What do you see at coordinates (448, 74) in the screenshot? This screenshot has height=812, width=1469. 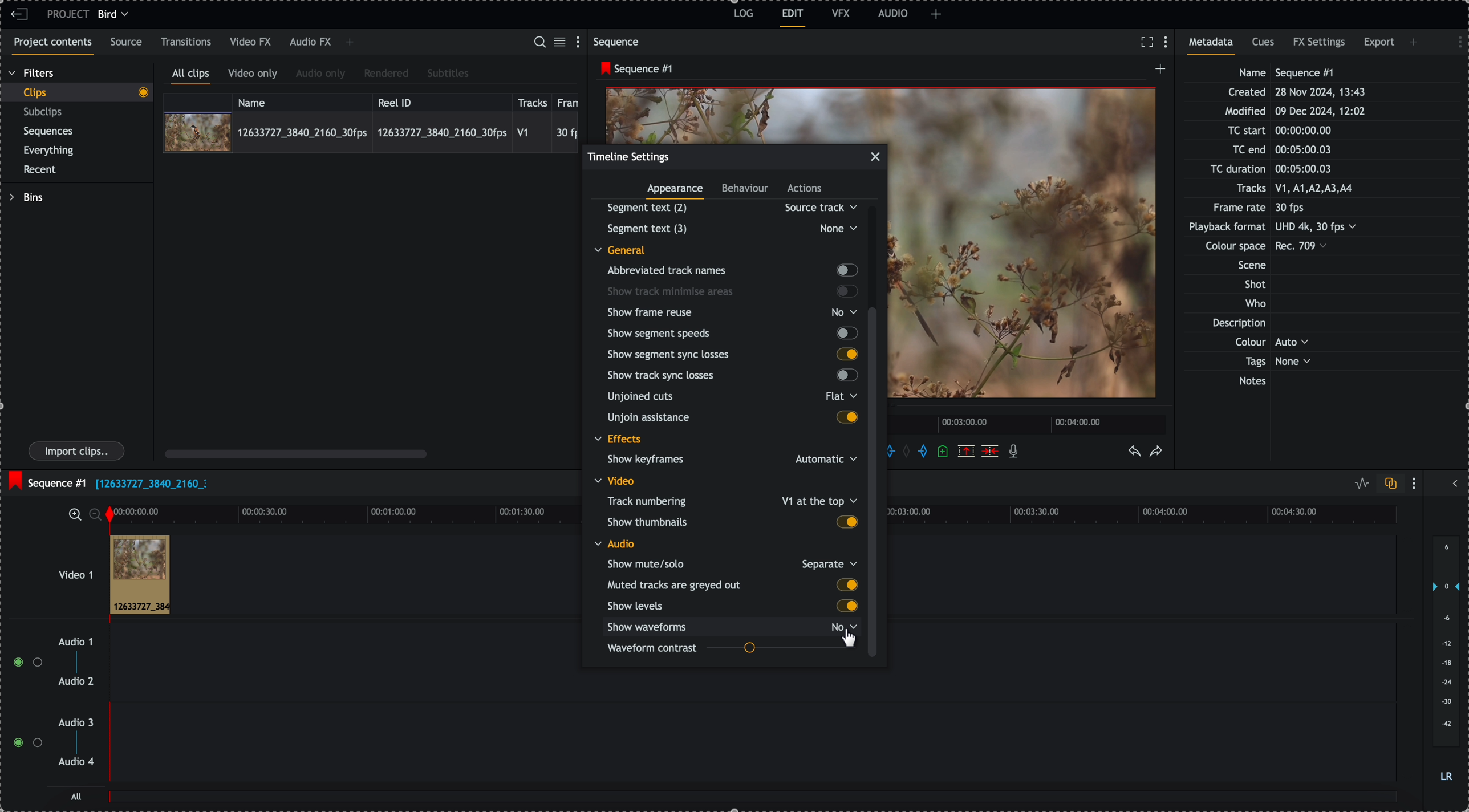 I see `subtitles` at bounding box center [448, 74].